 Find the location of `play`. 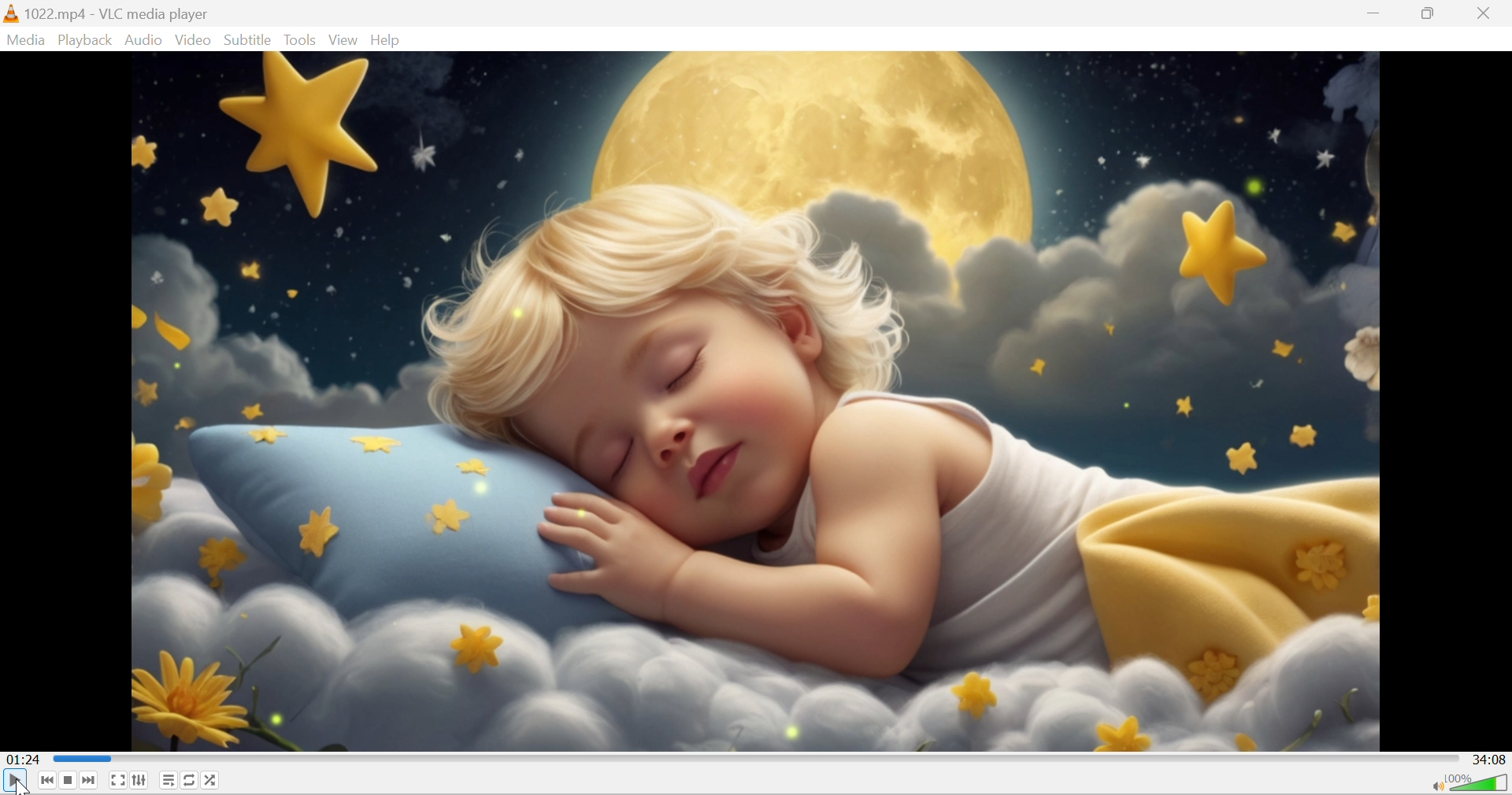

play is located at coordinates (16, 780).